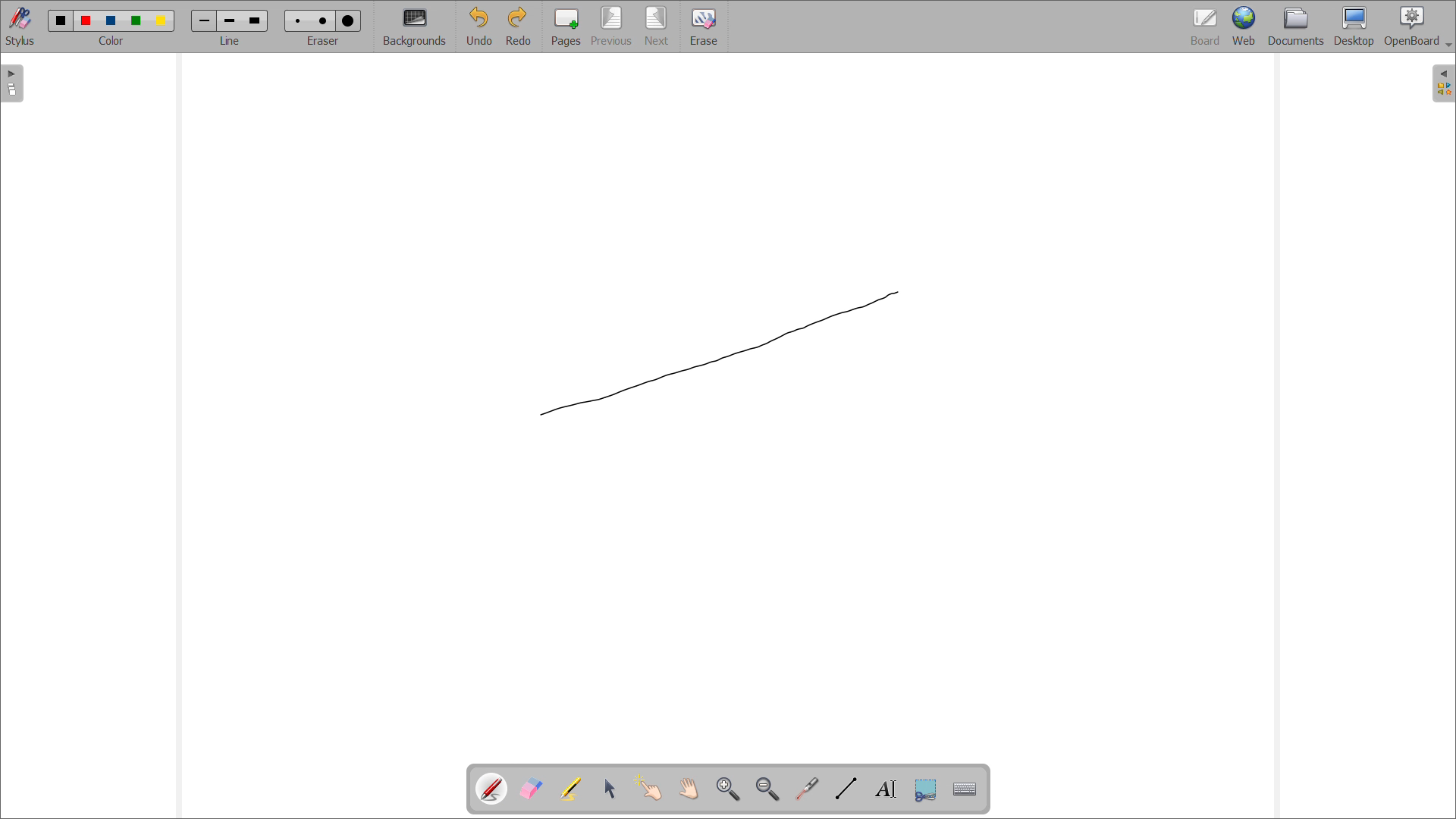 The width and height of the screenshot is (1456, 819). I want to click on add pages, so click(566, 27).